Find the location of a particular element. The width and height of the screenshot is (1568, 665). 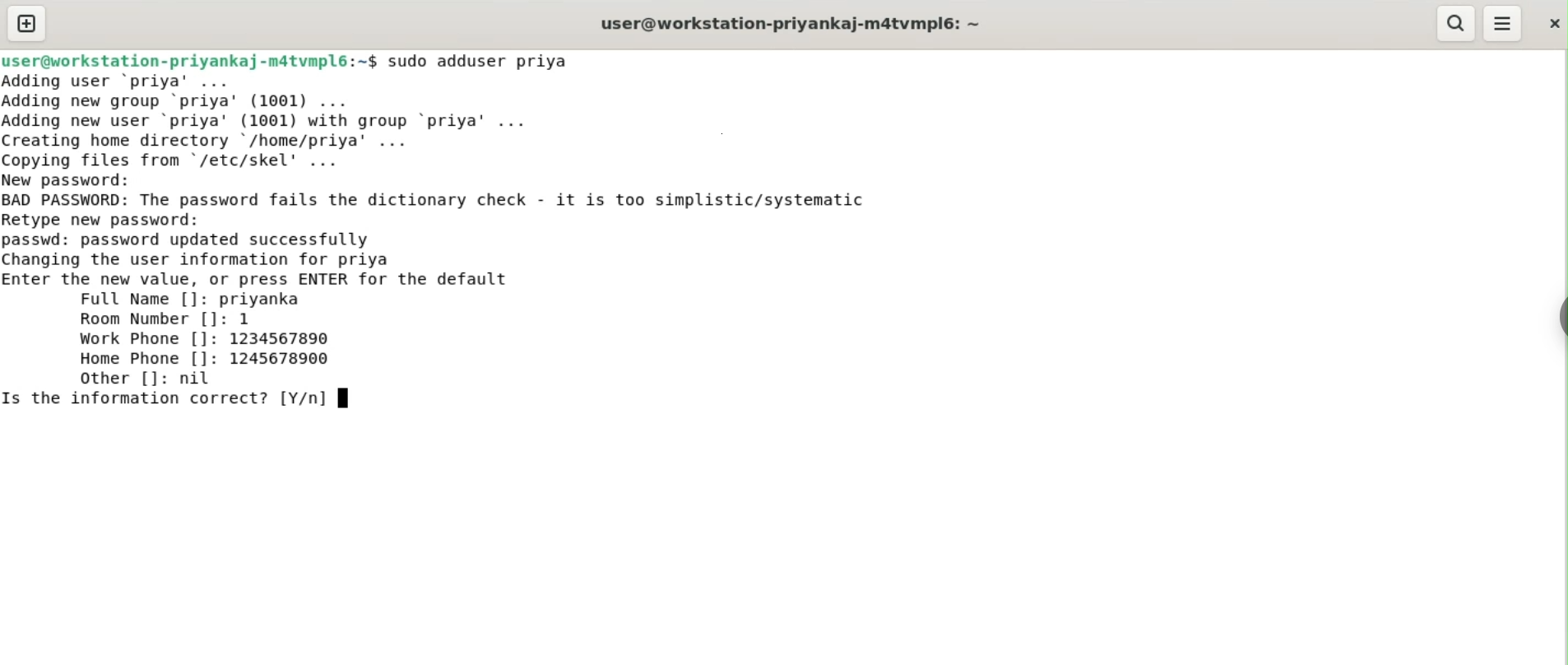

is thie information correct? [Y/n] is located at coordinates (186, 402).